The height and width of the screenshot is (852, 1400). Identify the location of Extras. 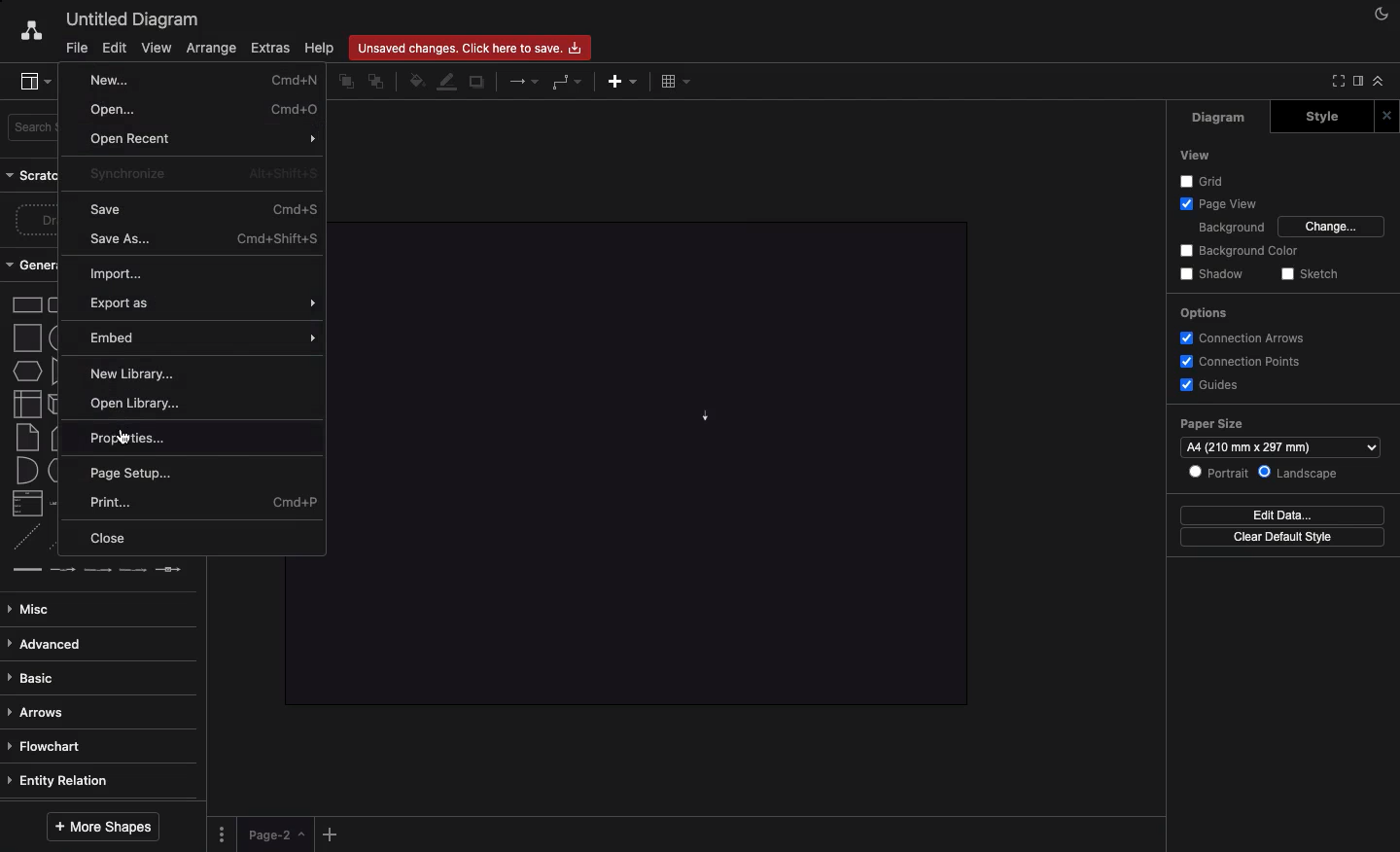
(273, 49).